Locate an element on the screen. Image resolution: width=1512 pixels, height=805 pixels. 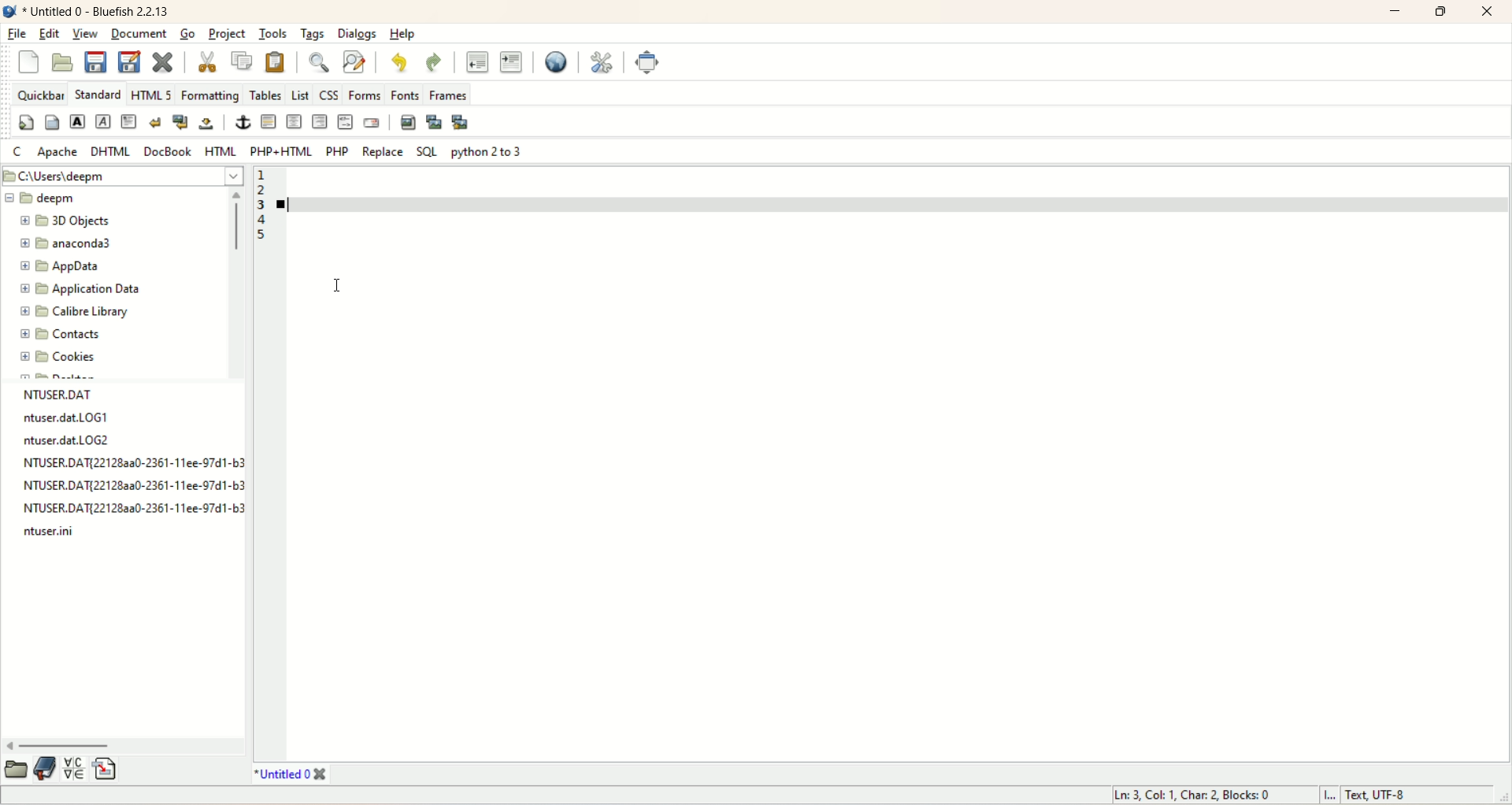
fonts is located at coordinates (404, 95).